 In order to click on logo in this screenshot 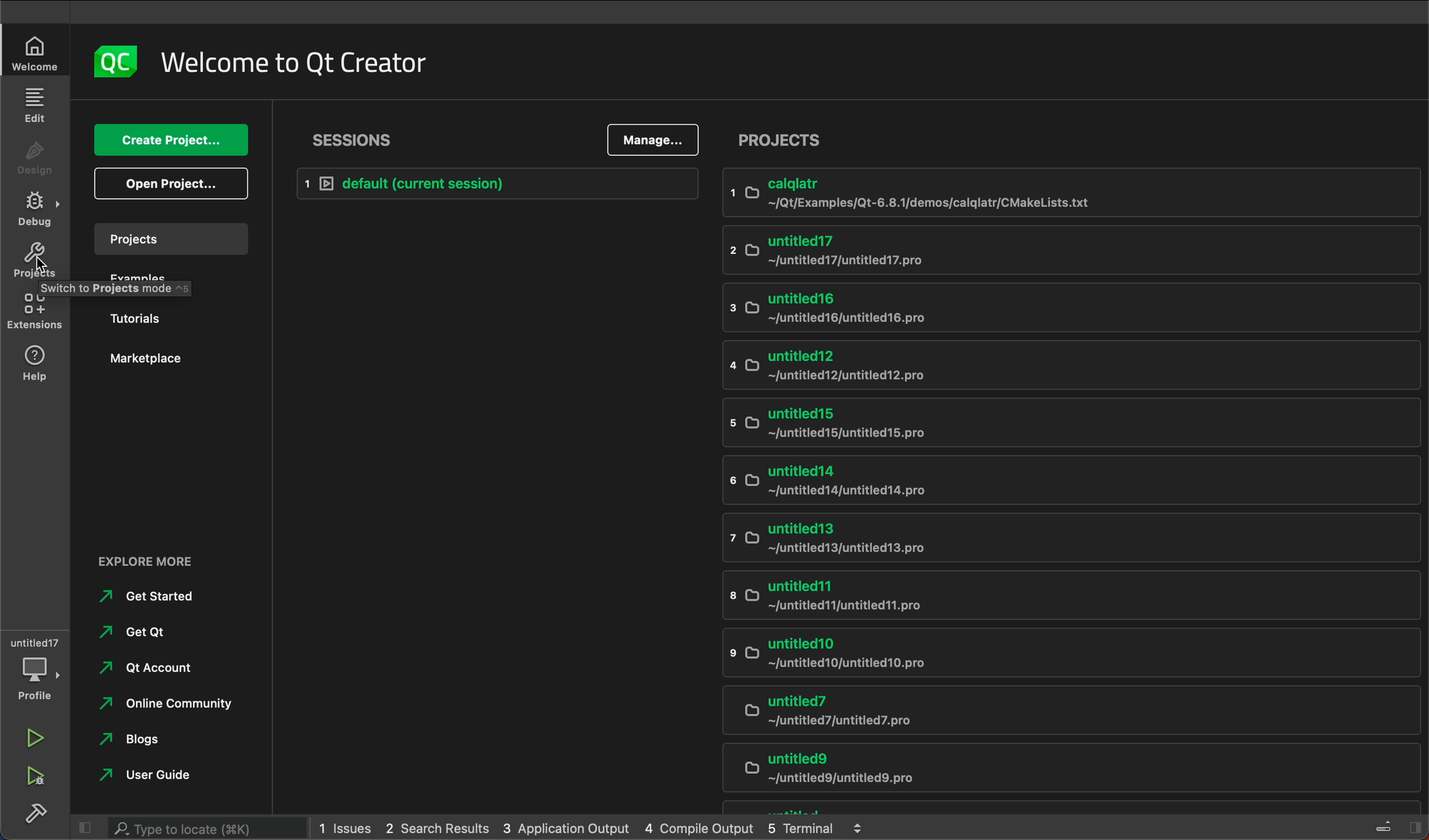, I will do `click(120, 61)`.